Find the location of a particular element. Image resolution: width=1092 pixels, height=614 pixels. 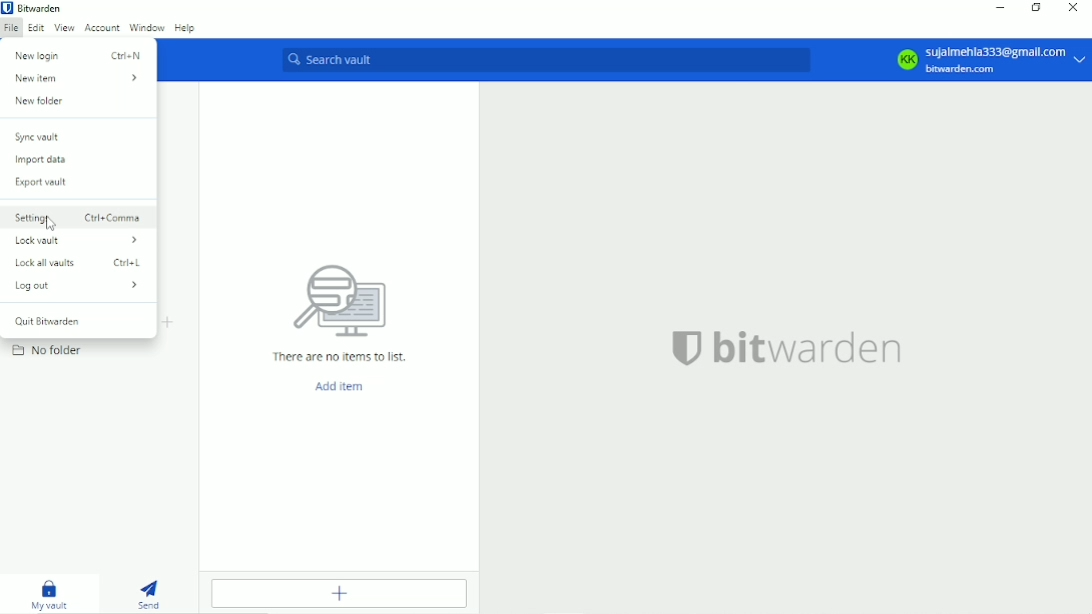

Lock vault  is located at coordinates (75, 241).